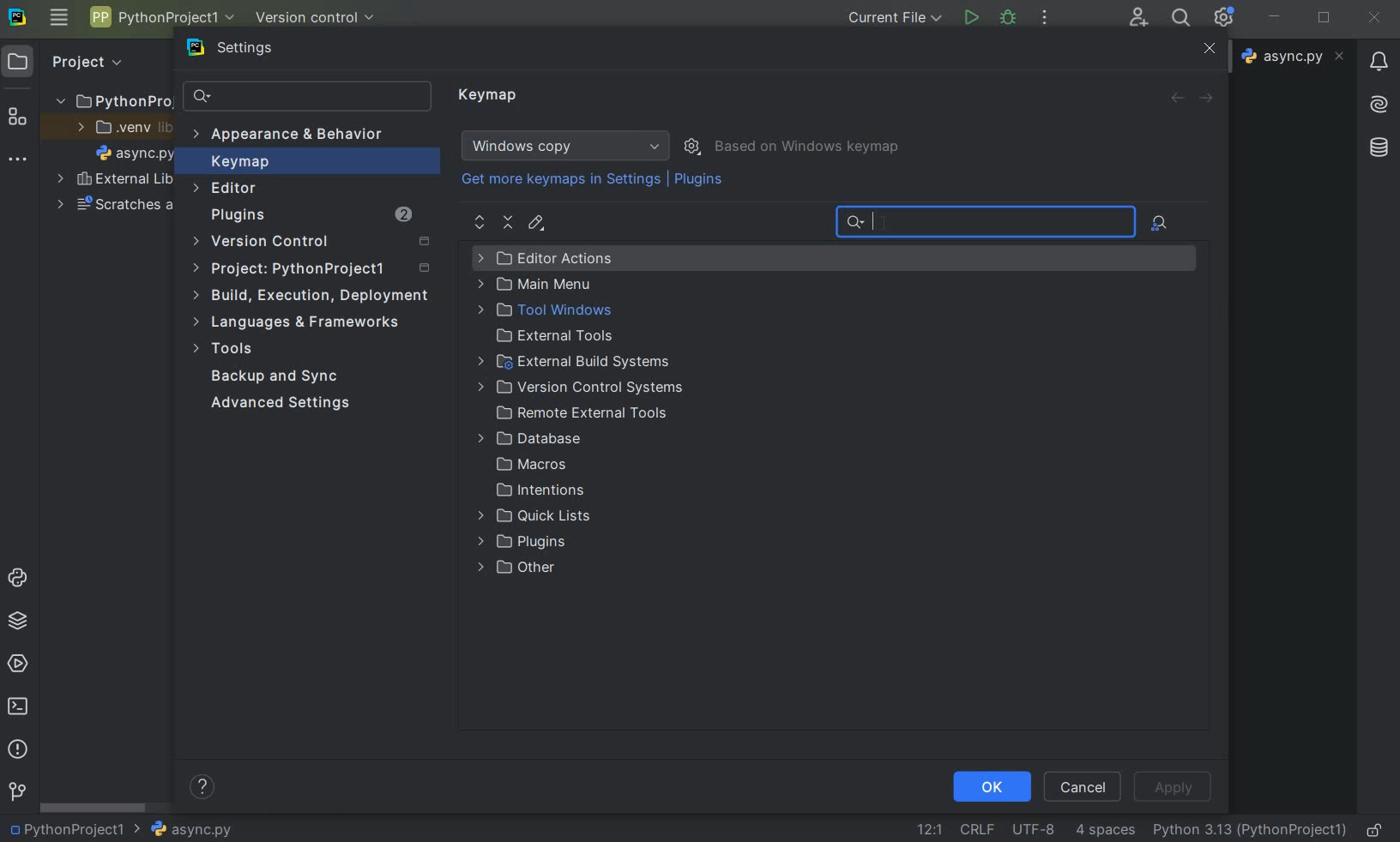  Describe the element at coordinates (85, 60) in the screenshot. I see `Project` at that location.